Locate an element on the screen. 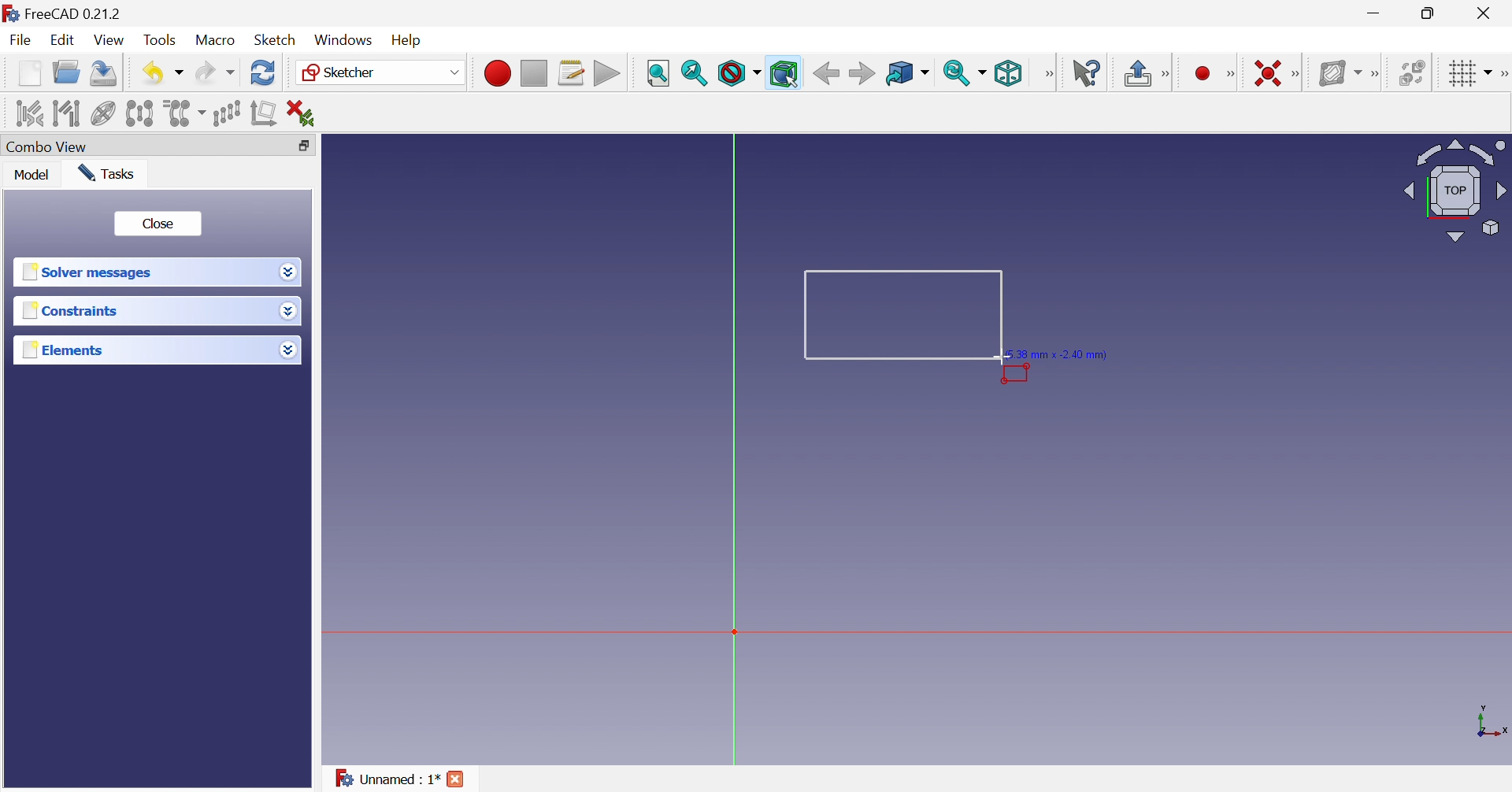  Select associated constraints is located at coordinates (30, 113).